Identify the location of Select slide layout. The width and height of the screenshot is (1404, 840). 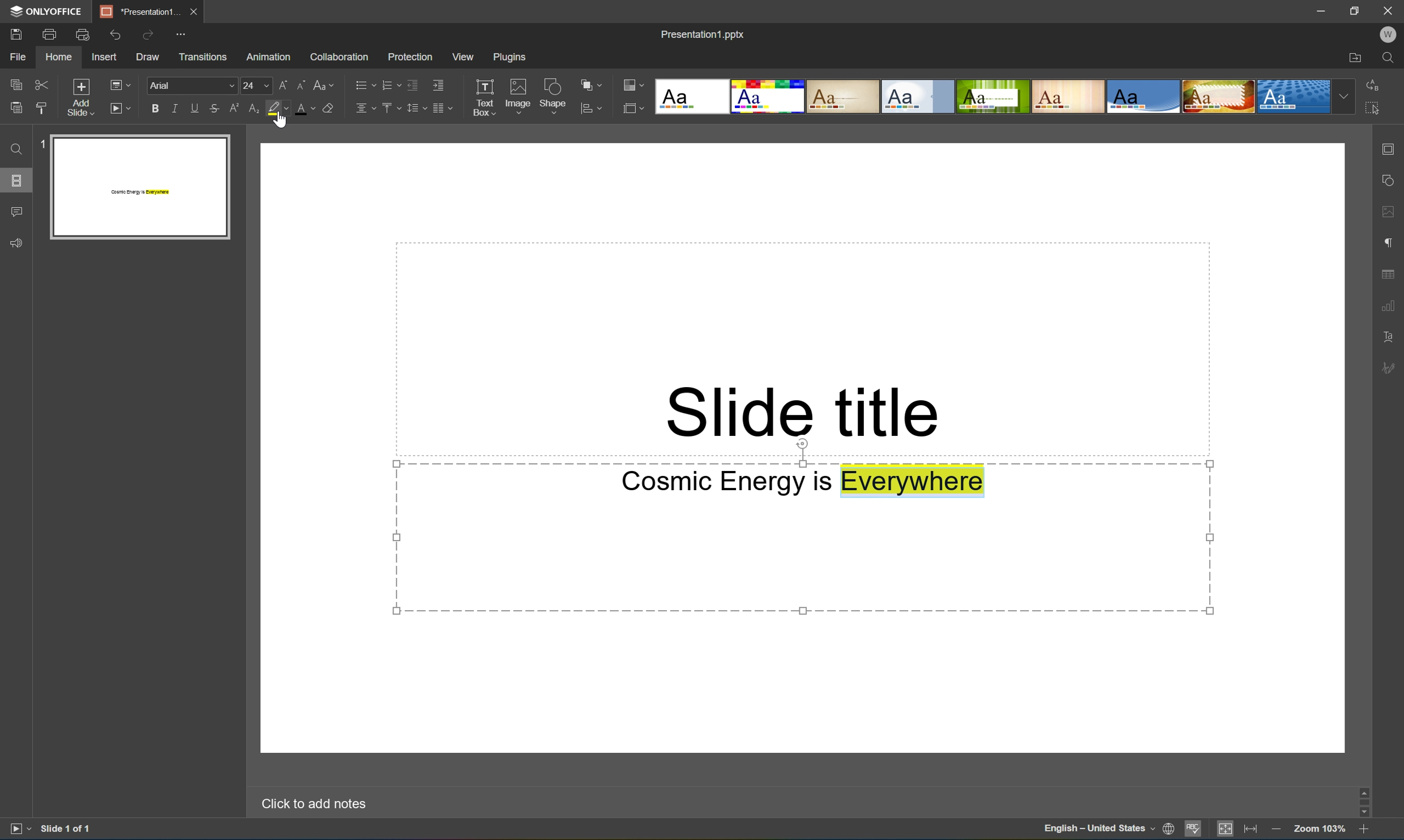
(633, 108).